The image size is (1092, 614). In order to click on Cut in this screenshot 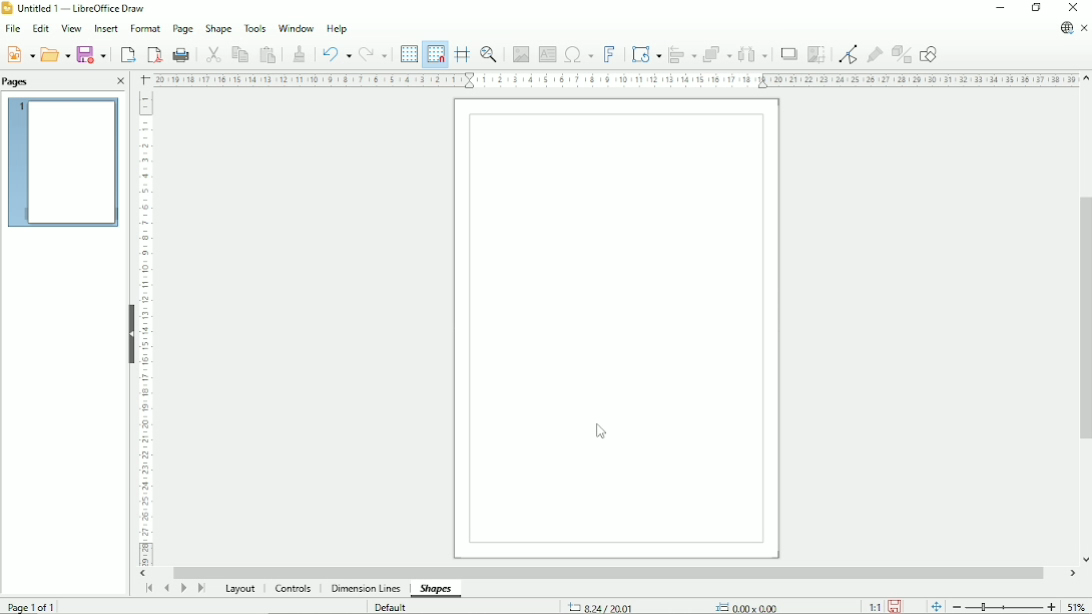, I will do `click(210, 54)`.